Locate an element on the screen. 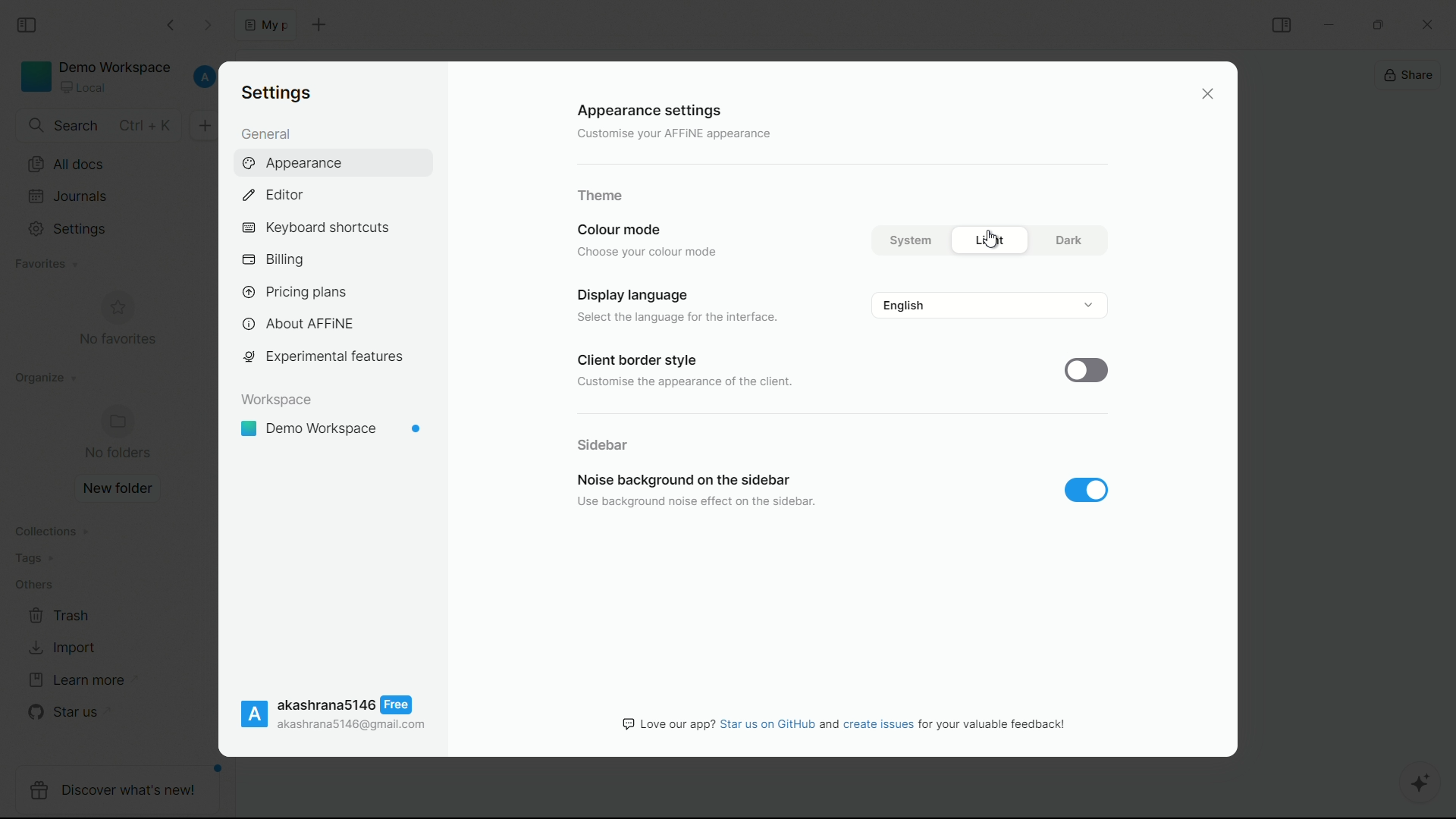  theme is located at coordinates (600, 196).